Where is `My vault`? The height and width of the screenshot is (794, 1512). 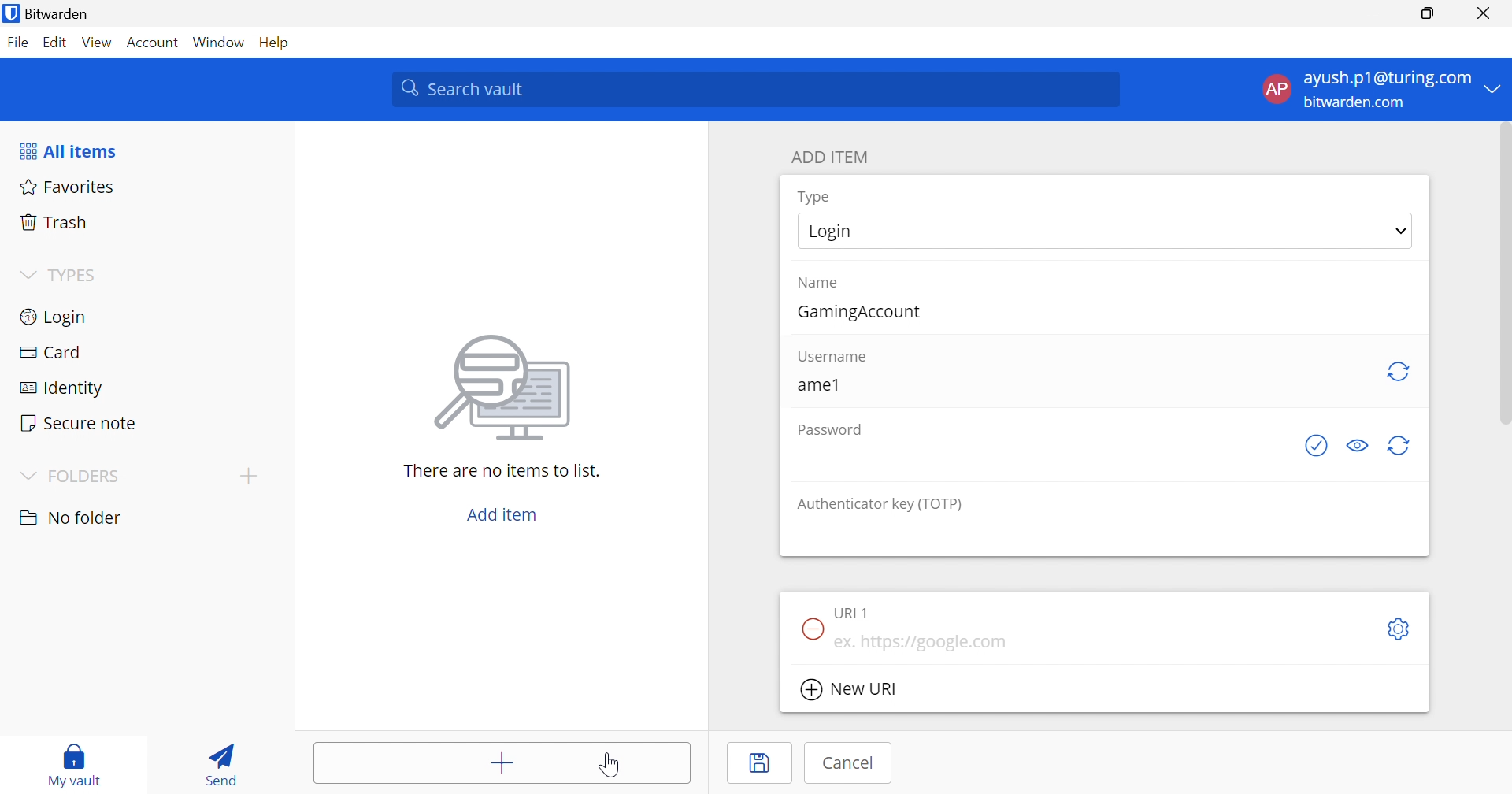 My vault is located at coordinates (72, 762).